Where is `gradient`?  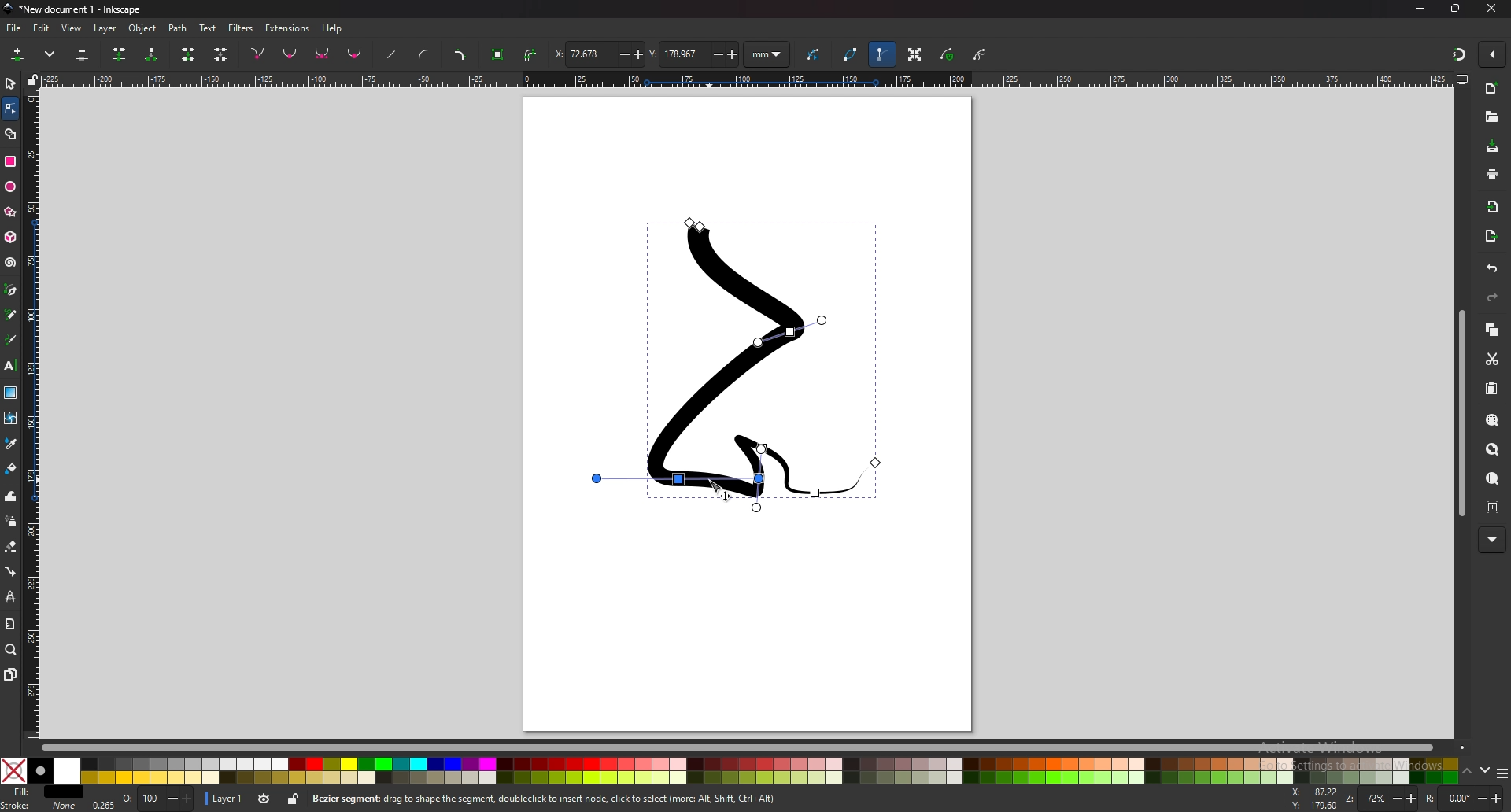
gradient is located at coordinates (10, 393).